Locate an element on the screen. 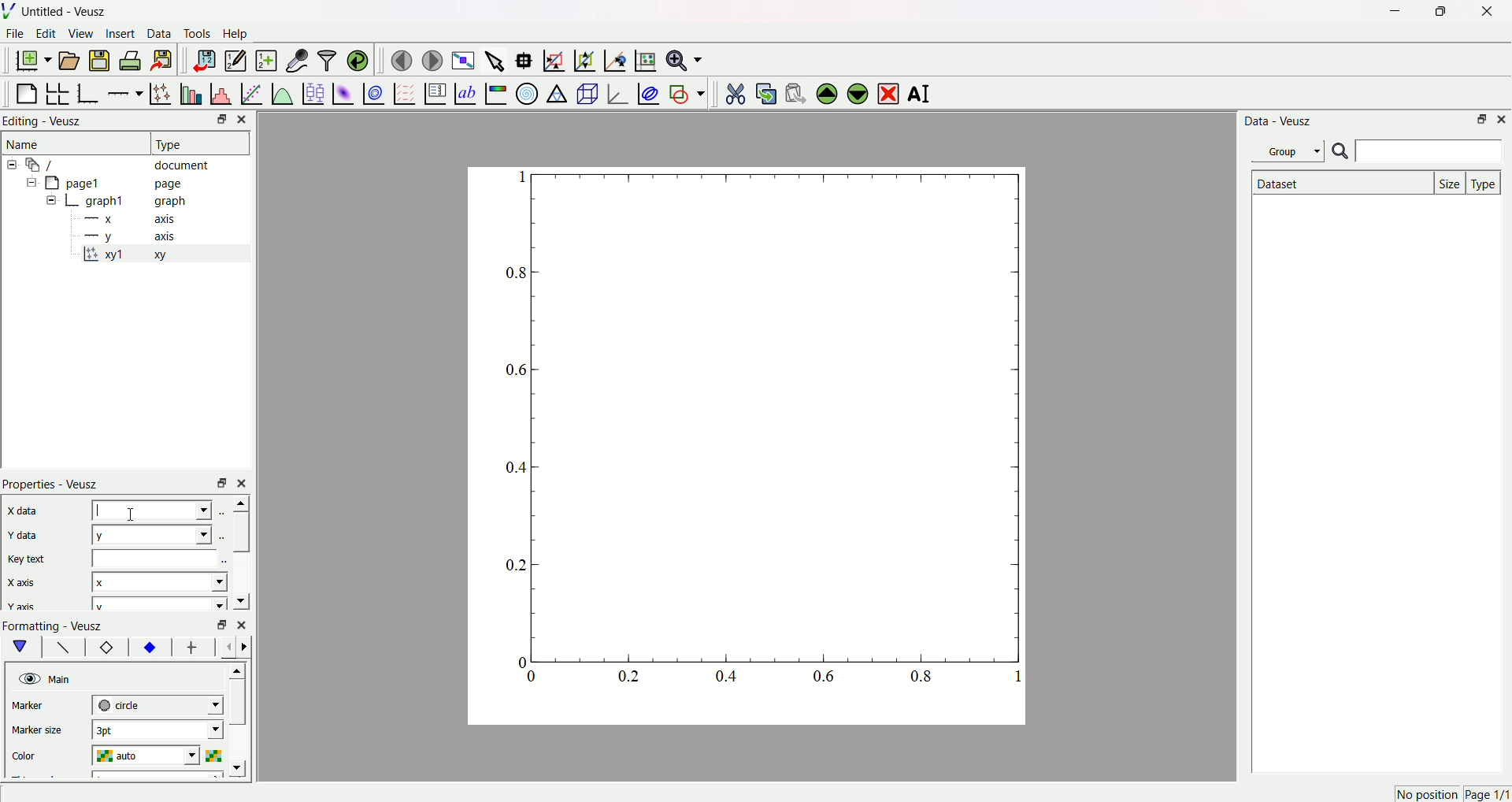  pagel1 page is located at coordinates (126, 183).